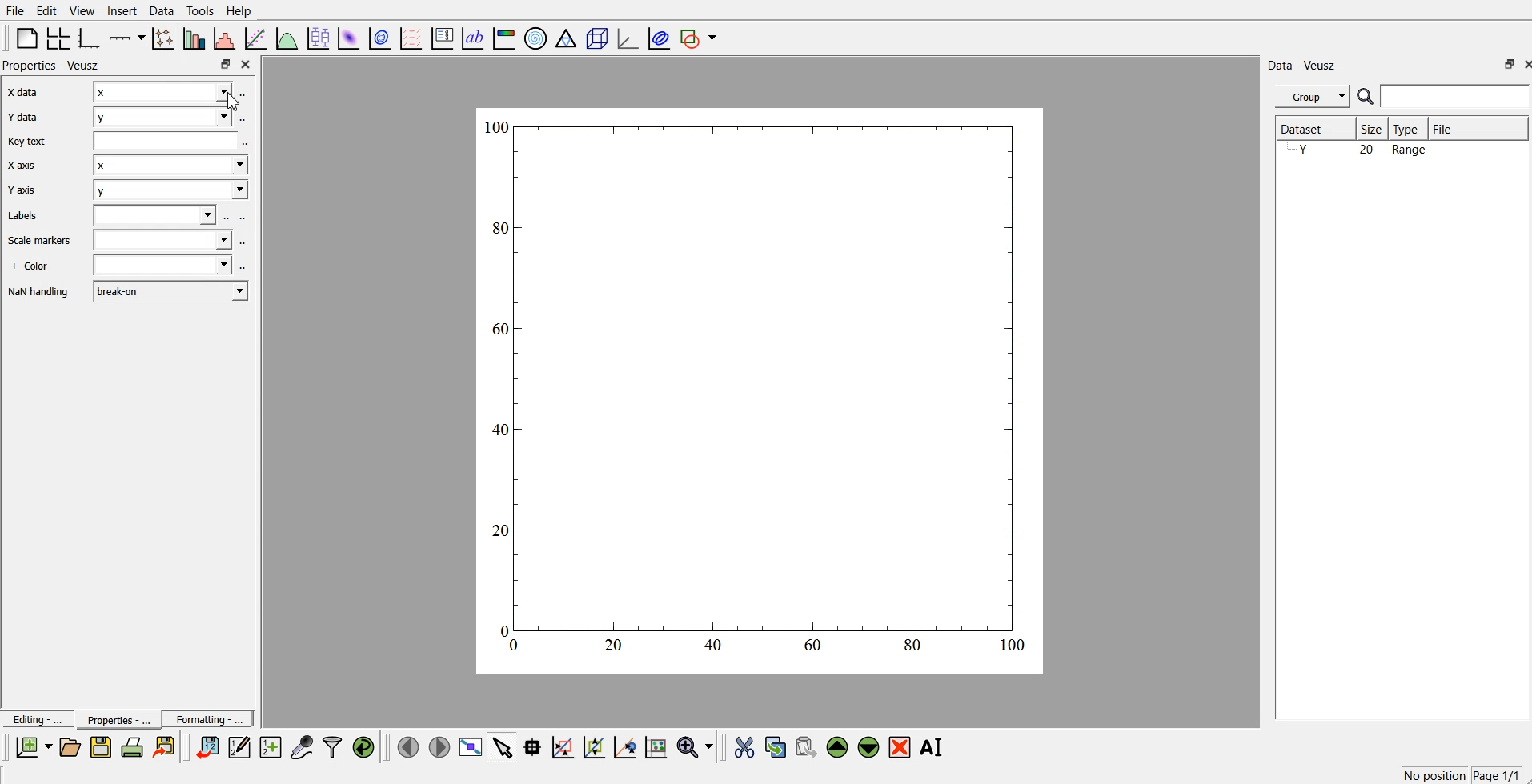 This screenshot has height=784, width=1532. I want to click on 3D scene, so click(596, 37).